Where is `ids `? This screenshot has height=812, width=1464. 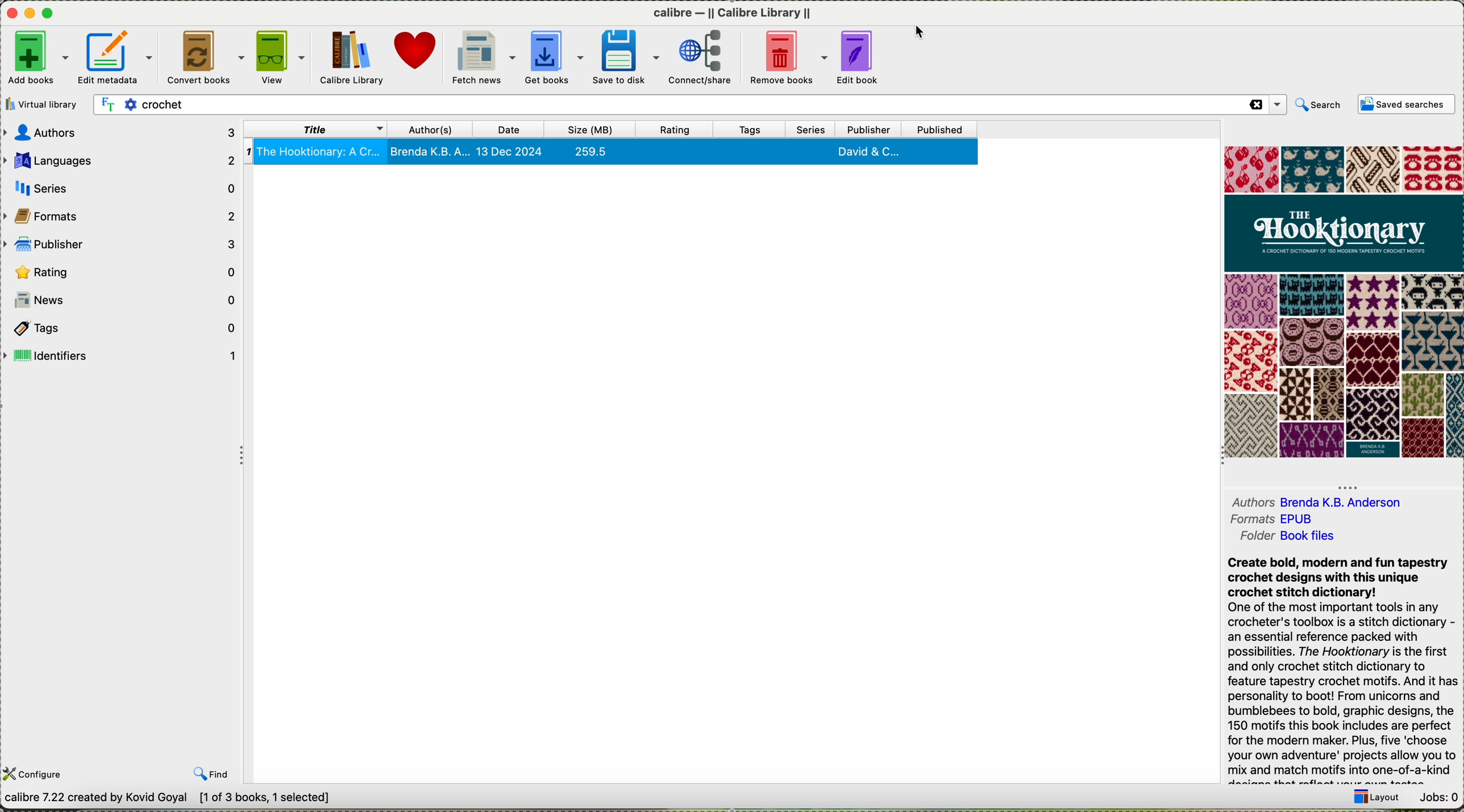
ids  is located at coordinates (1253, 520).